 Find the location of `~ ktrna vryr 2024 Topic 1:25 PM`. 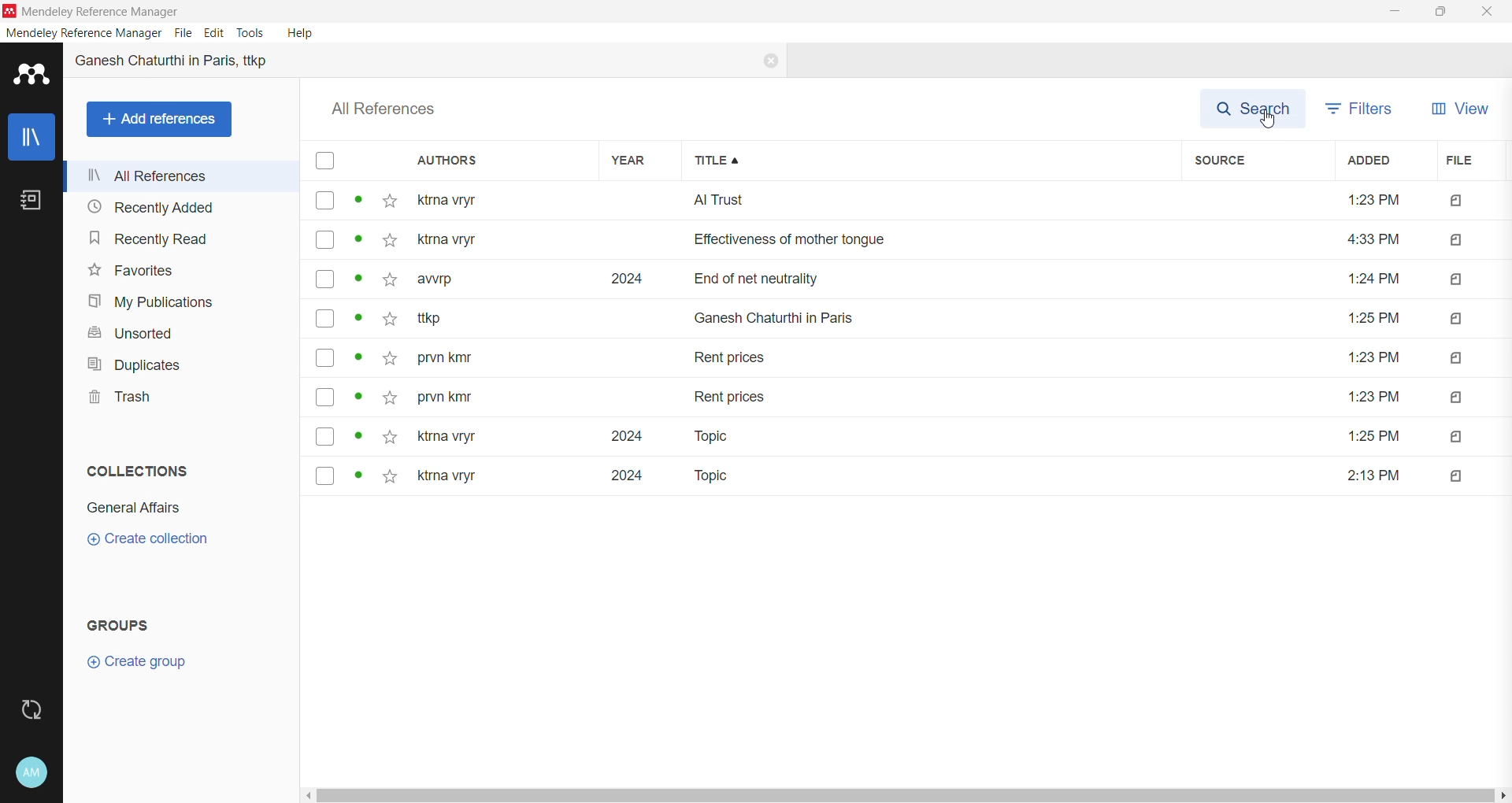

~ ktrna vryr 2024 Topic 1:25 PM is located at coordinates (911, 436).